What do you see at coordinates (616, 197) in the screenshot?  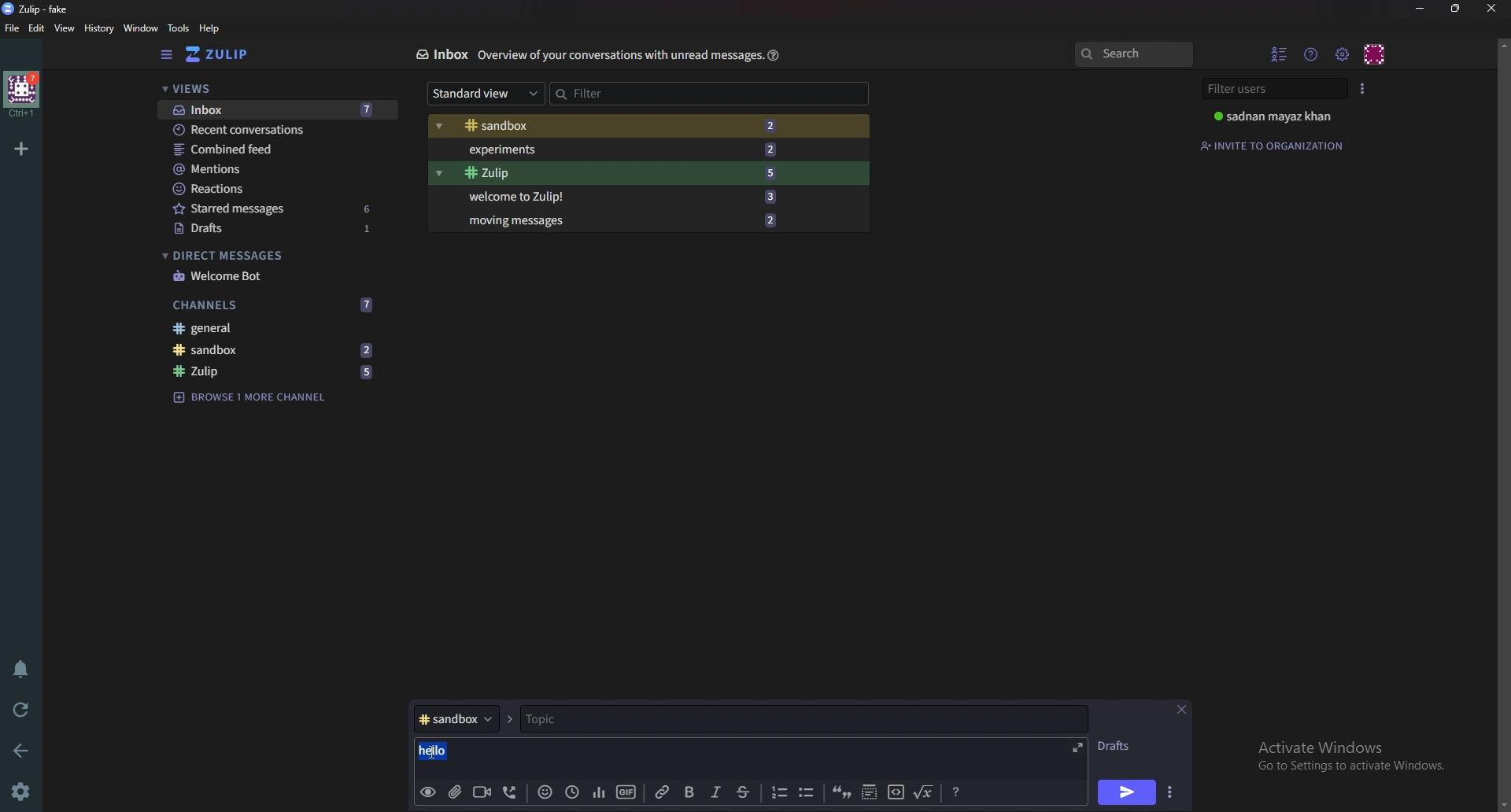 I see `Welcome to Zulip 3` at bounding box center [616, 197].